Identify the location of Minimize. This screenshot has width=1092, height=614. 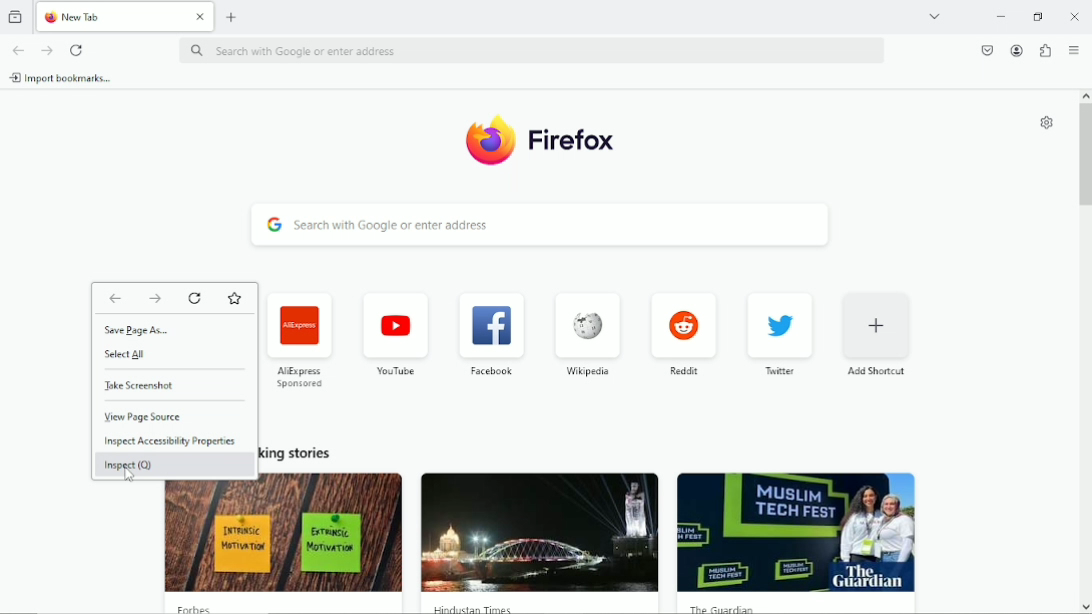
(999, 15).